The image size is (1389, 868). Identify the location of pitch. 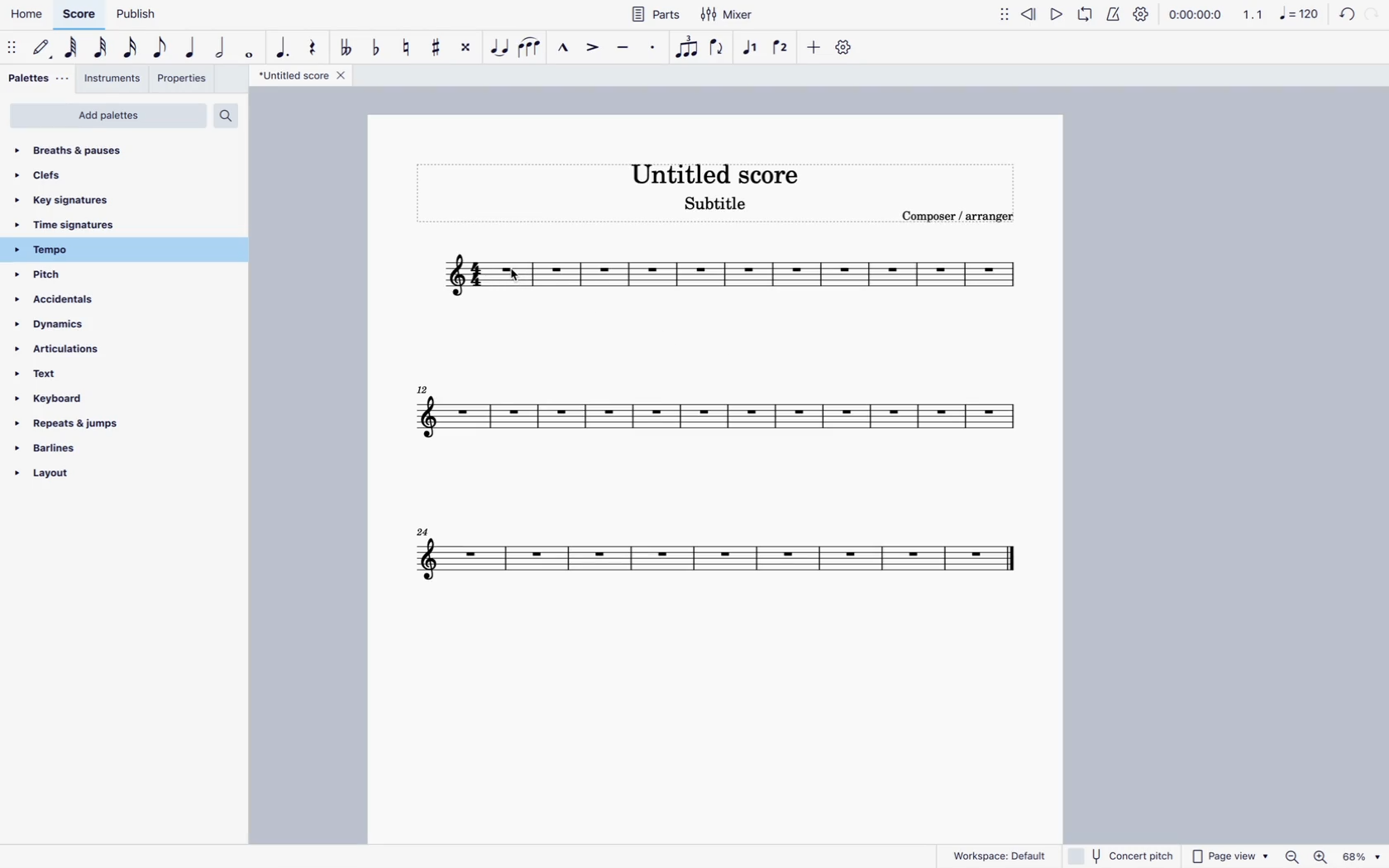
(77, 275).